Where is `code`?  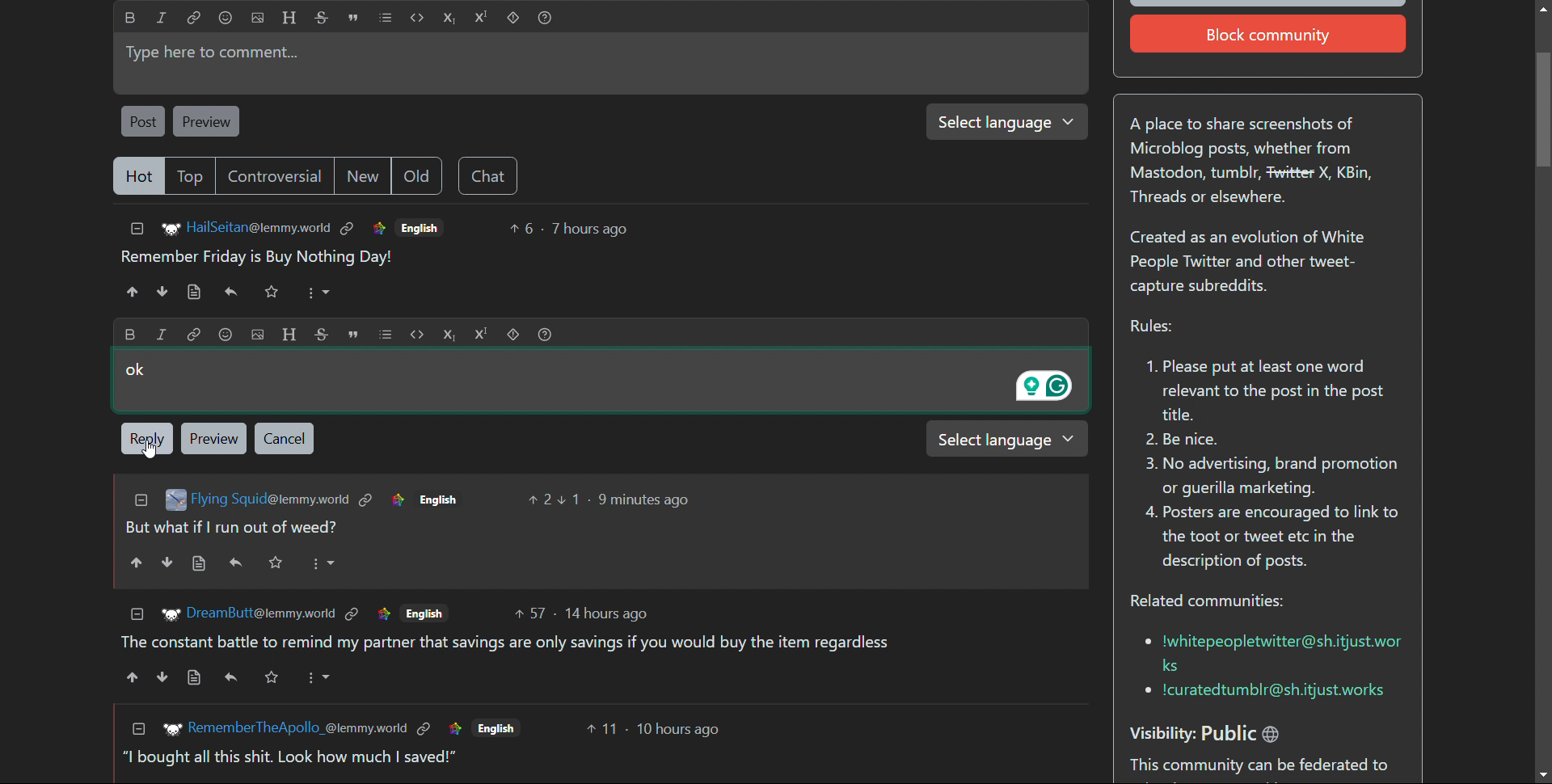 code is located at coordinates (418, 18).